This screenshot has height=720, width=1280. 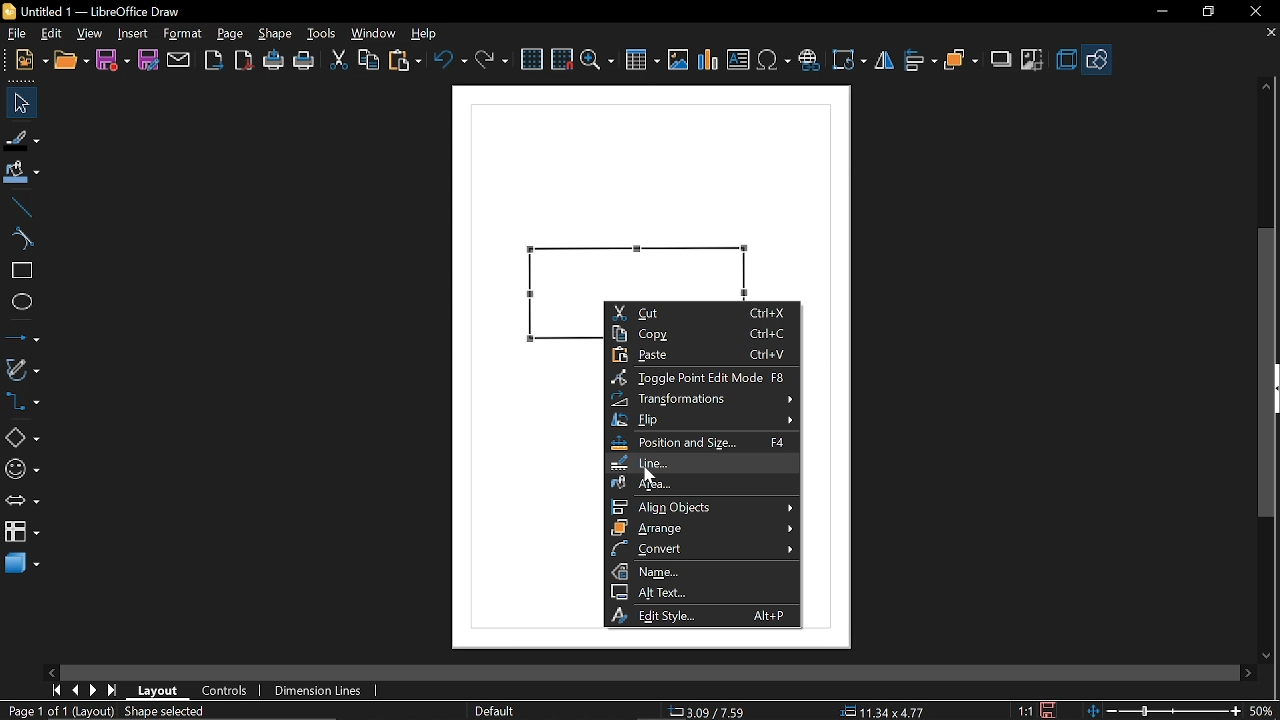 What do you see at coordinates (1001, 60) in the screenshot?
I see `shadow` at bounding box center [1001, 60].